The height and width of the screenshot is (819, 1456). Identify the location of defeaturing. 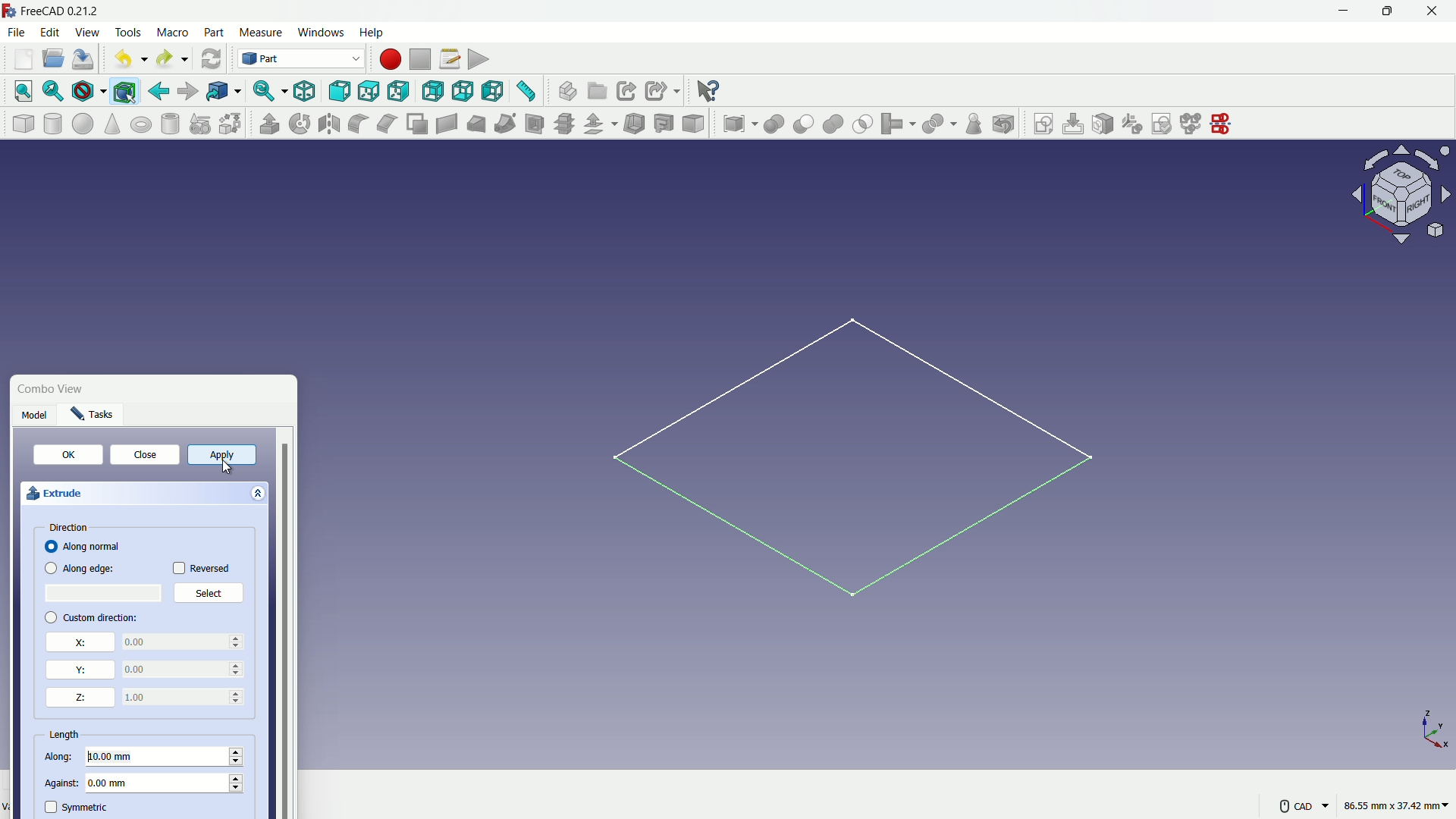
(1003, 124).